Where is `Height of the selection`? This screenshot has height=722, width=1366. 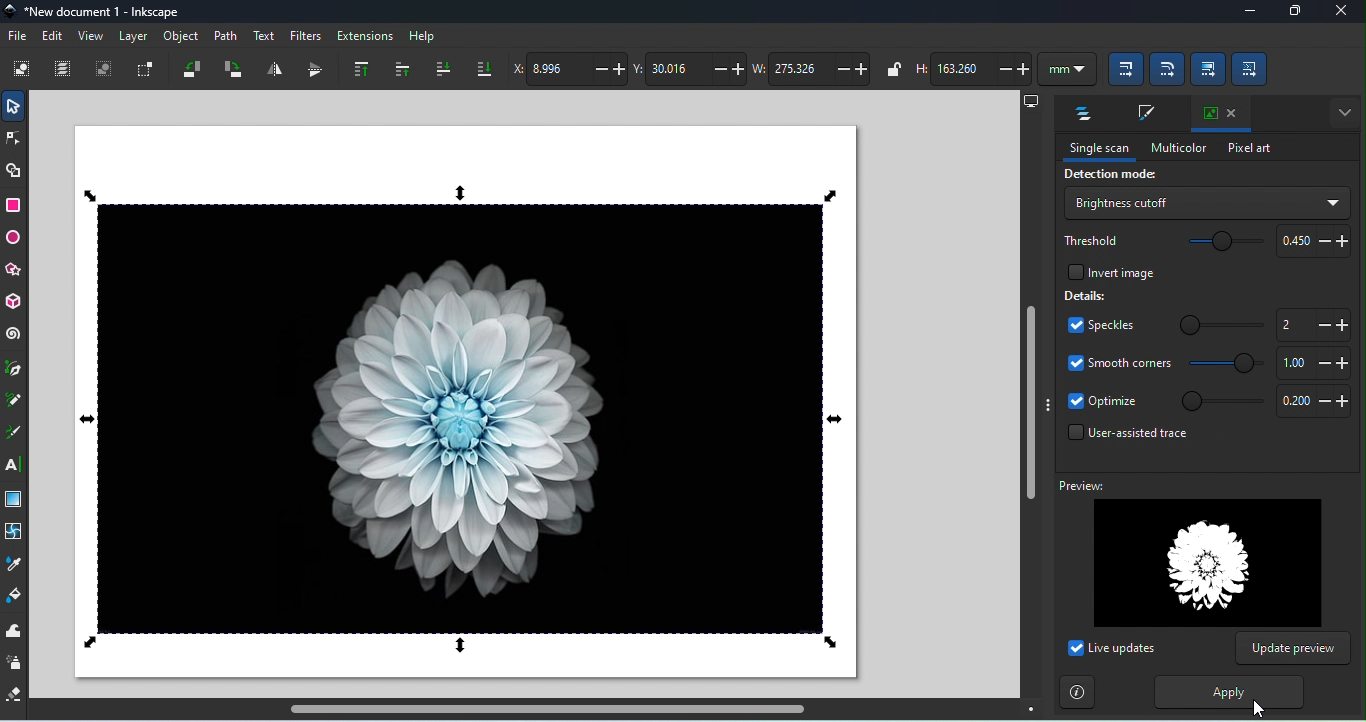
Height of the selection is located at coordinates (973, 68).